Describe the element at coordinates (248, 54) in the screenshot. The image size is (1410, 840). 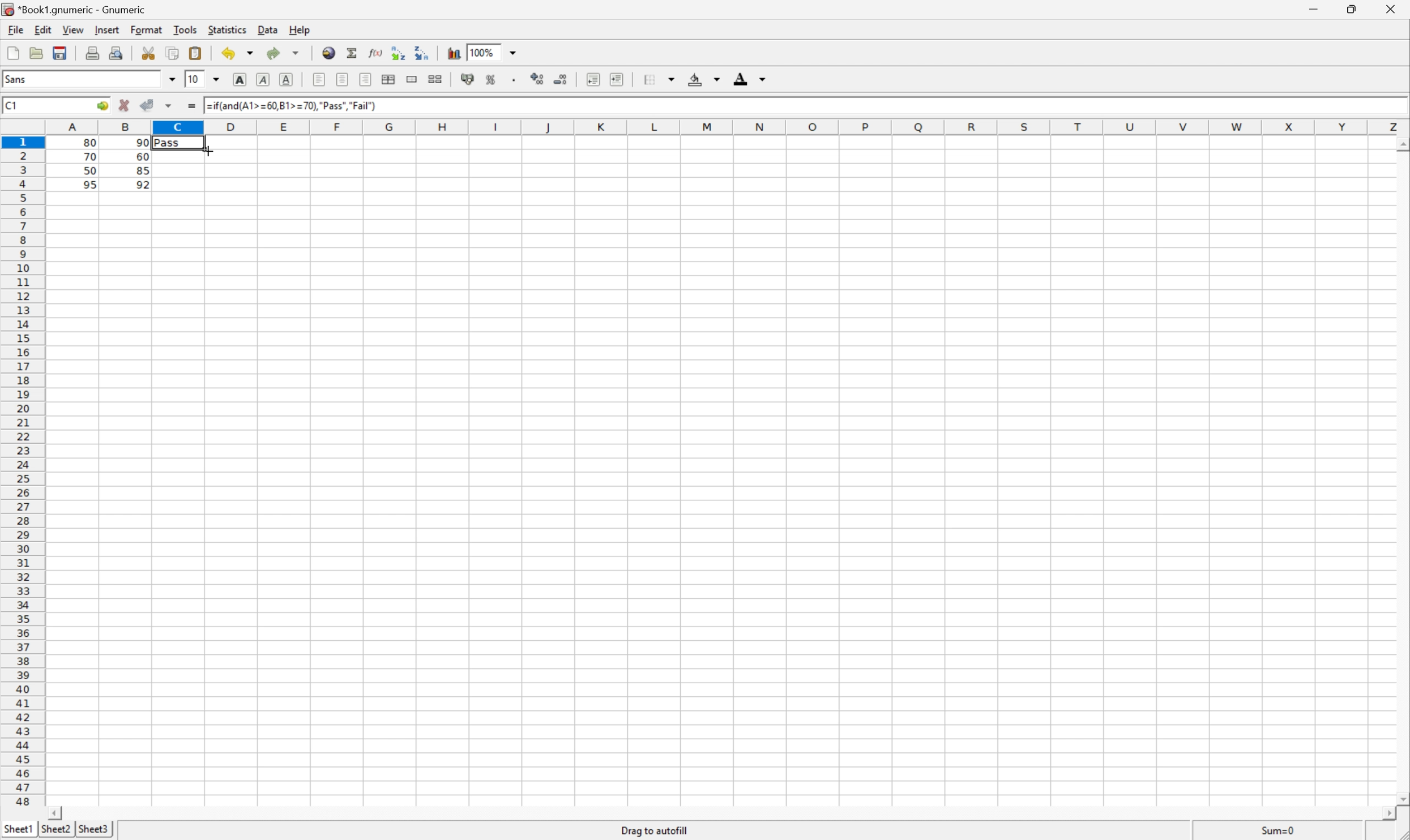
I see `Drop Down` at that location.